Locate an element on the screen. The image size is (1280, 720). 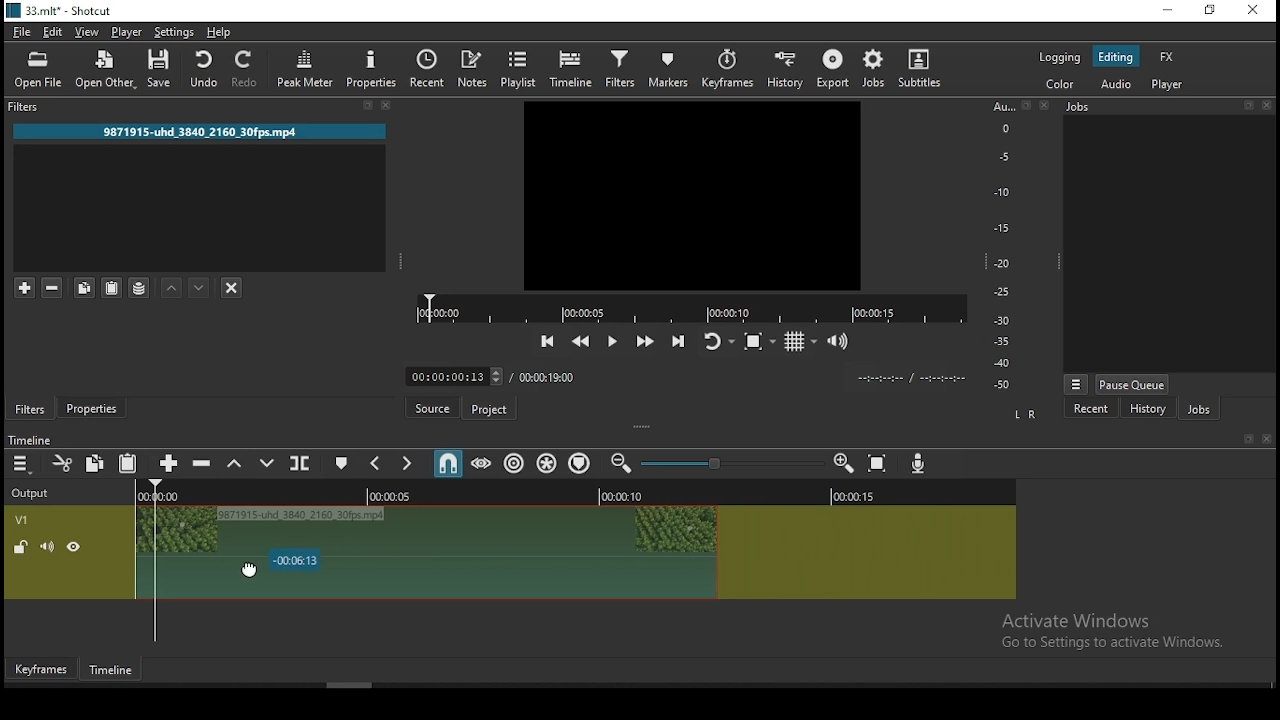
record audio is located at coordinates (922, 468).